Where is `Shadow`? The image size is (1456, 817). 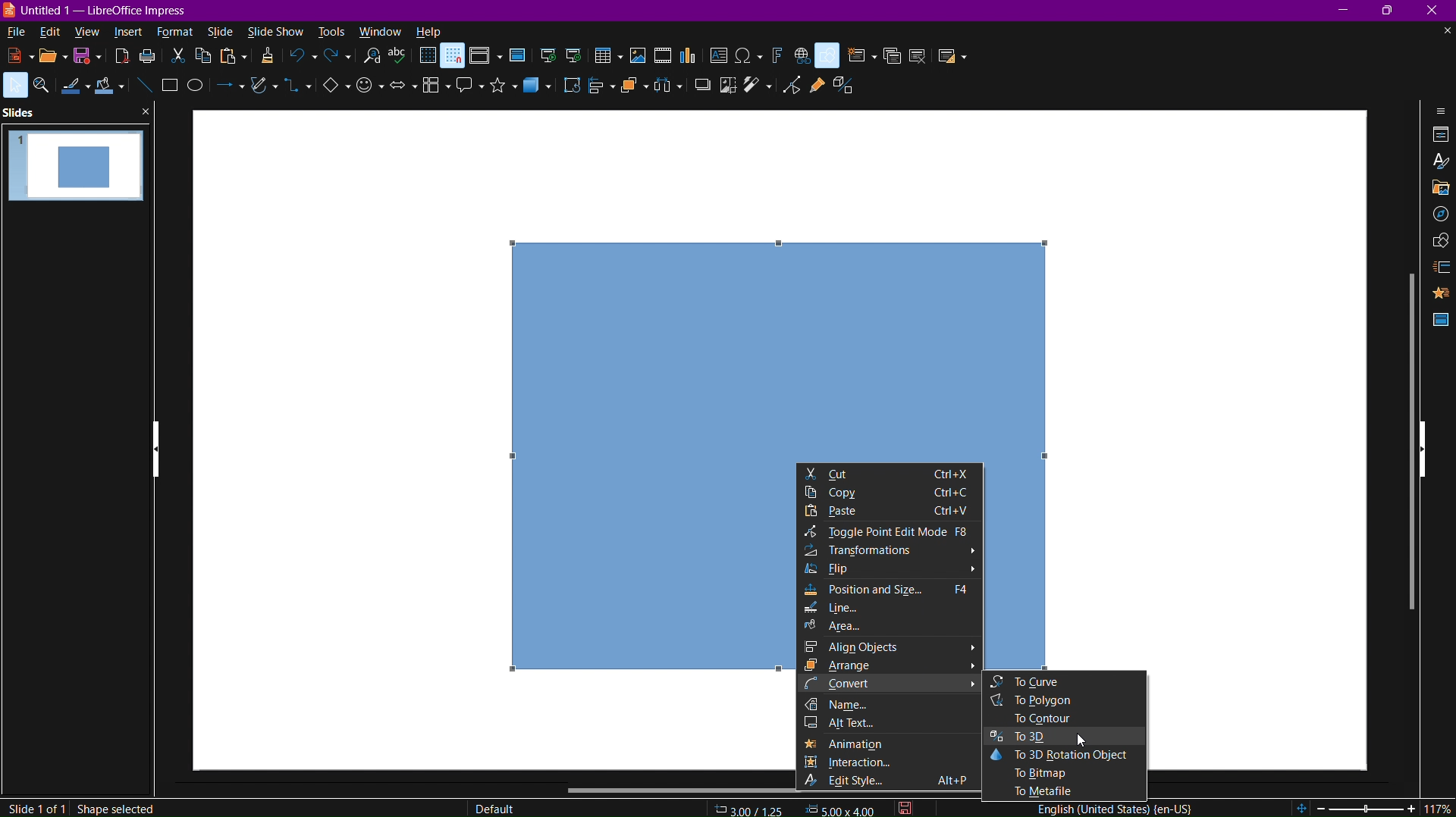 Shadow is located at coordinates (699, 90).